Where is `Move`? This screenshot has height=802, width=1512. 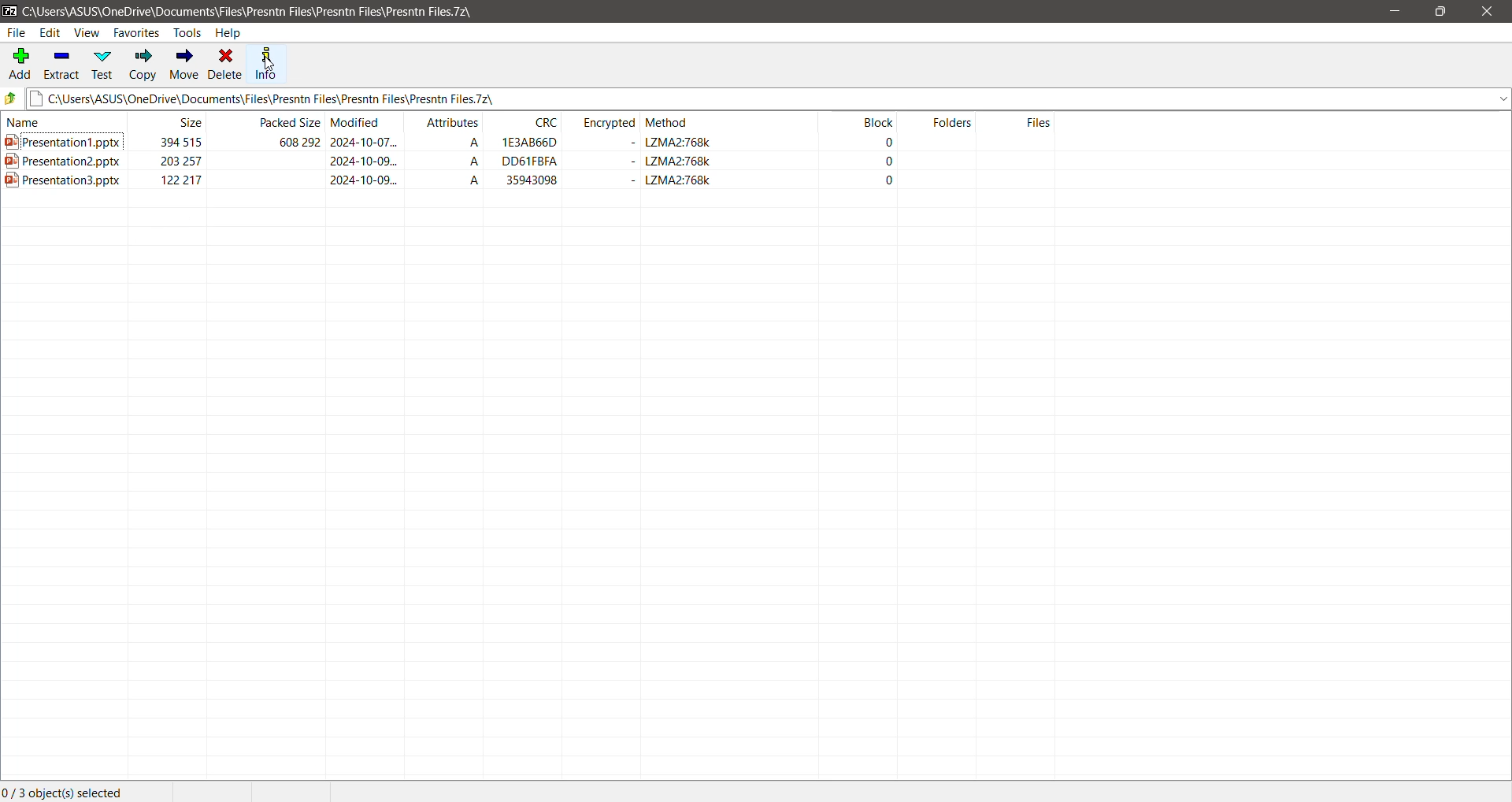
Move is located at coordinates (184, 65).